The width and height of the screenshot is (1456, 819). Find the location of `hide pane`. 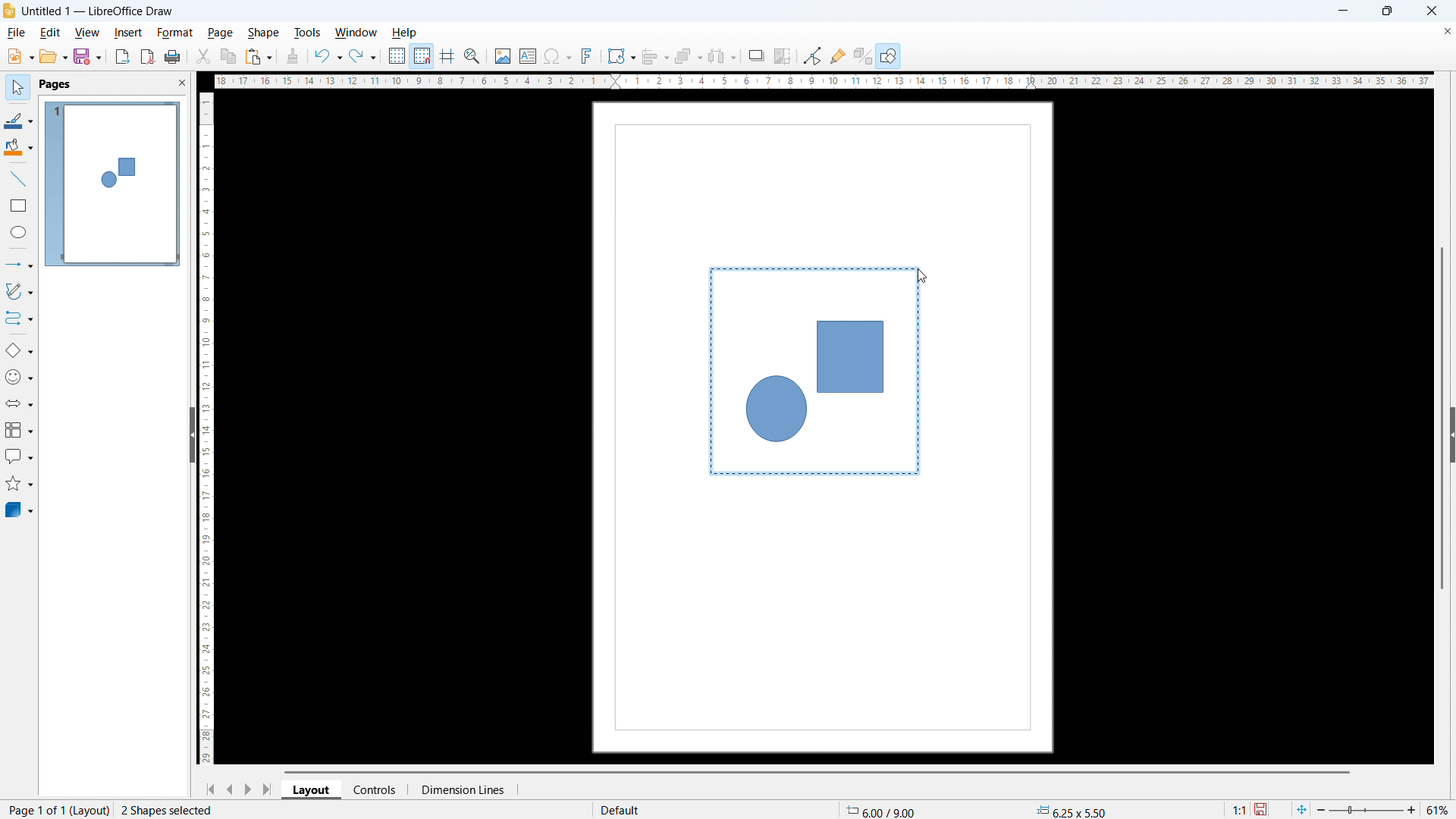

hide pane is located at coordinates (193, 435).